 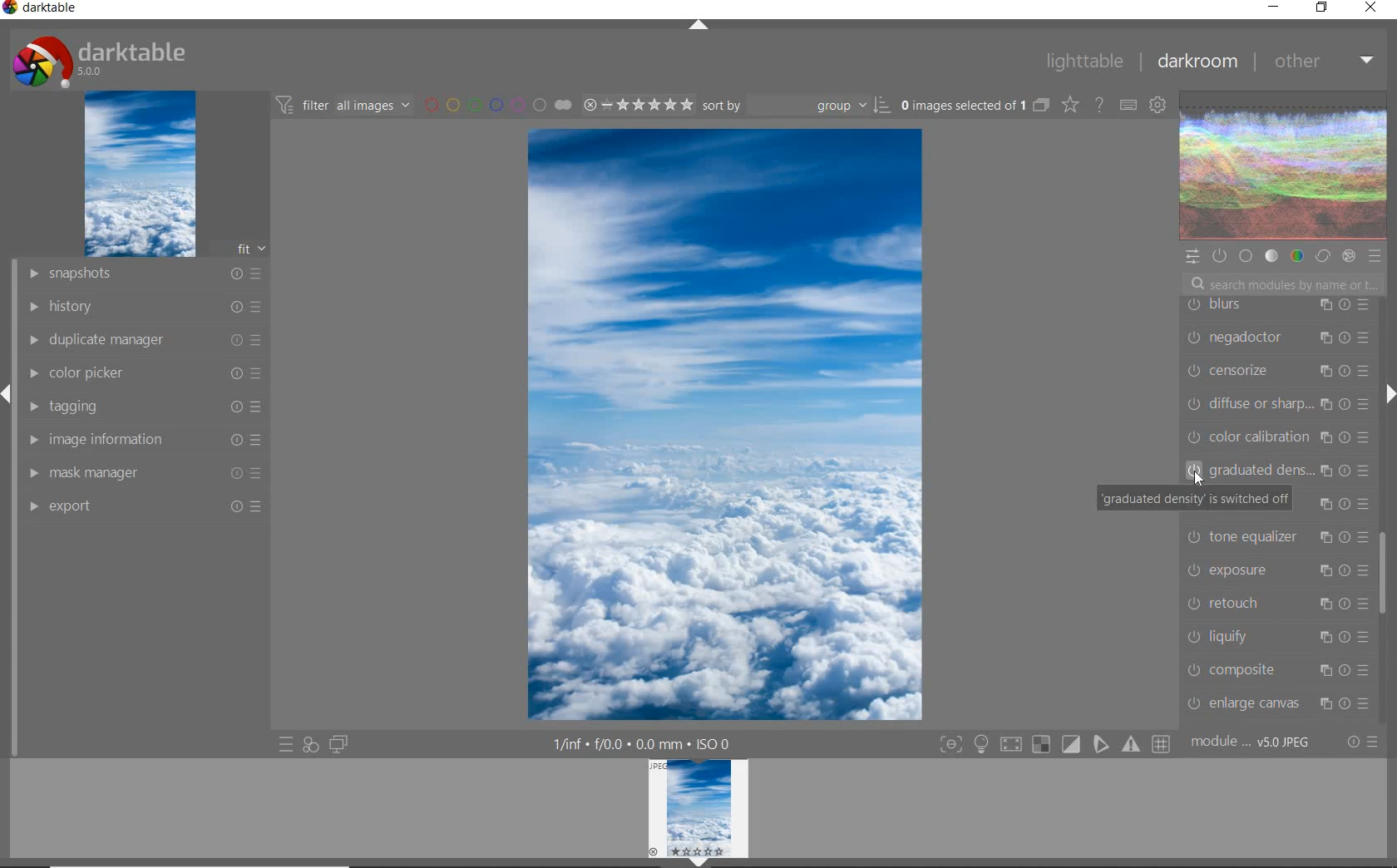 What do you see at coordinates (1284, 166) in the screenshot?
I see `WAVEFORM` at bounding box center [1284, 166].